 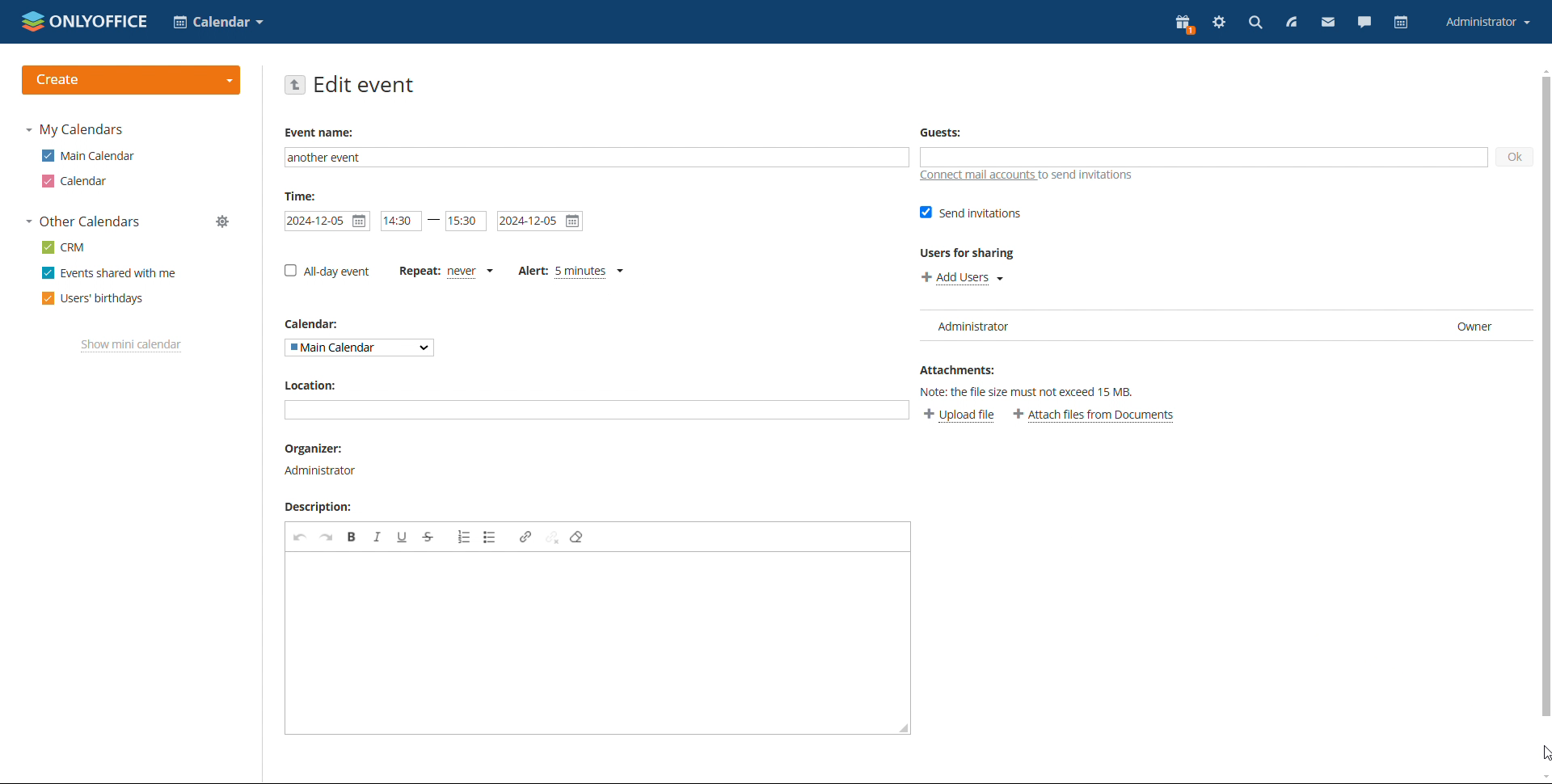 What do you see at coordinates (1329, 24) in the screenshot?
I see `mail` at bounding box center [1329, 24].